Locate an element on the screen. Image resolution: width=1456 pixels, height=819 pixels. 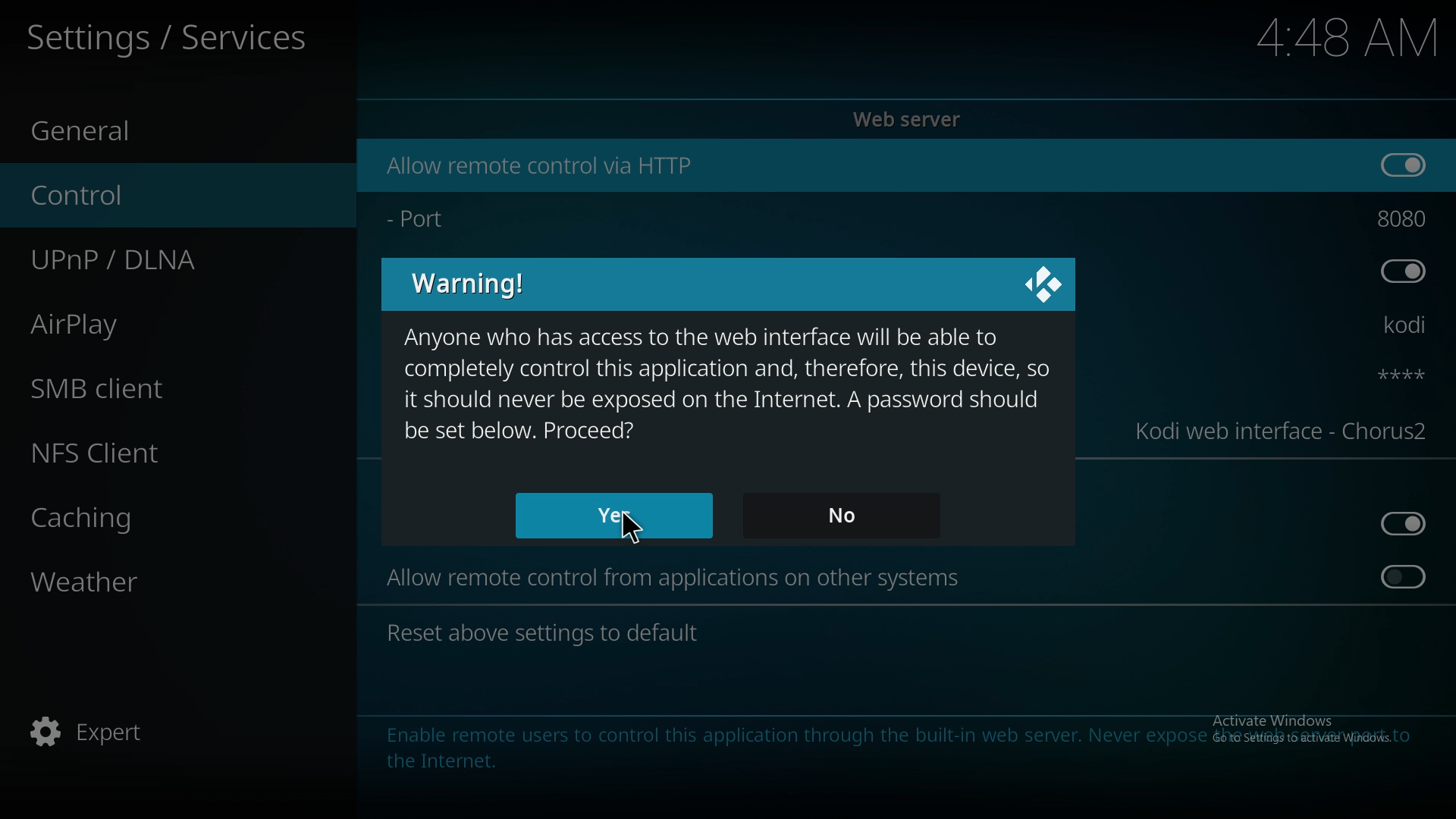
allow remote control via http is located at coordinates (579, 165).